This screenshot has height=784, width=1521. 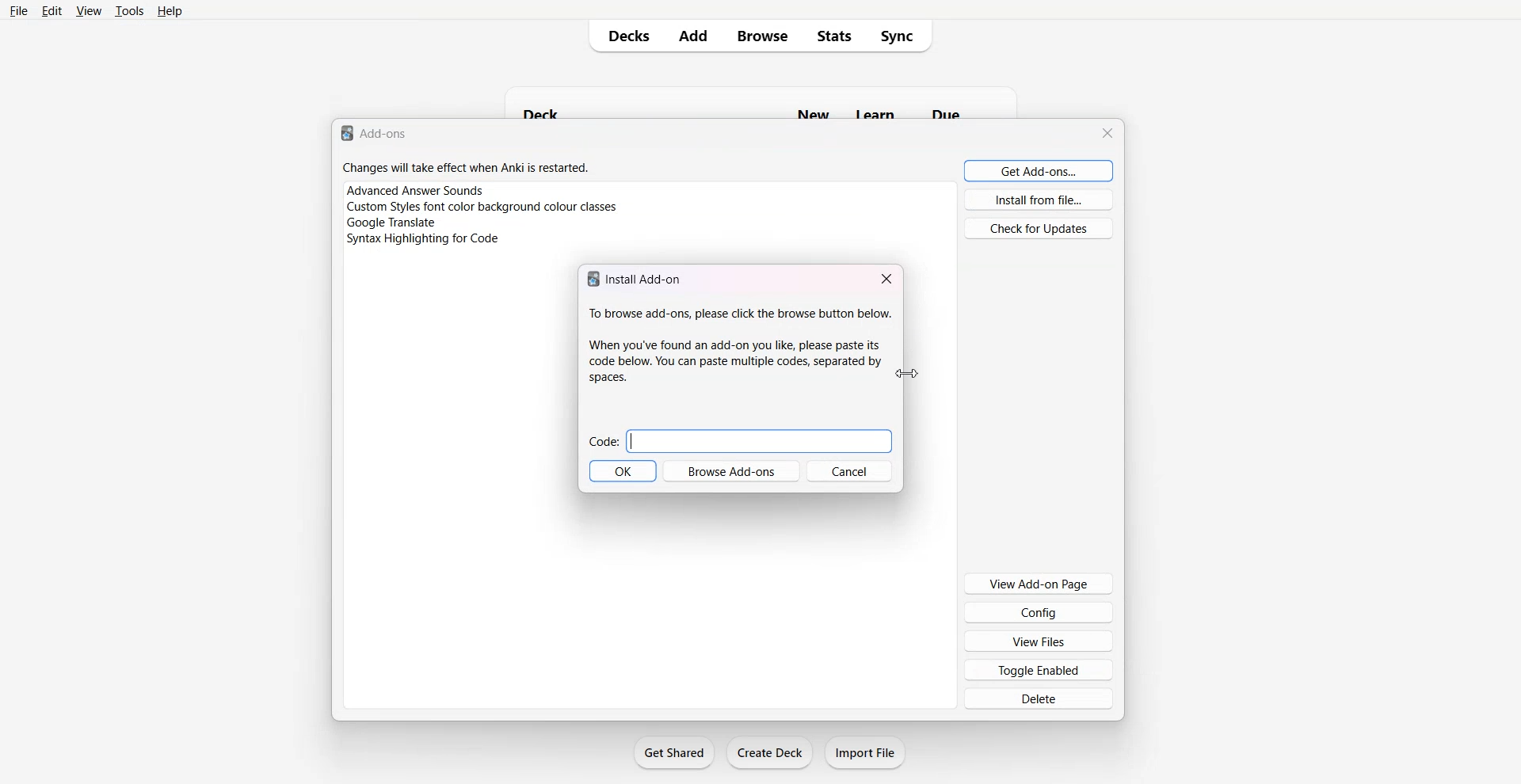 What do you see at coordinates (1037, 699) in the screenshot?
I see `Delete` at bounding box center [1037, 699].